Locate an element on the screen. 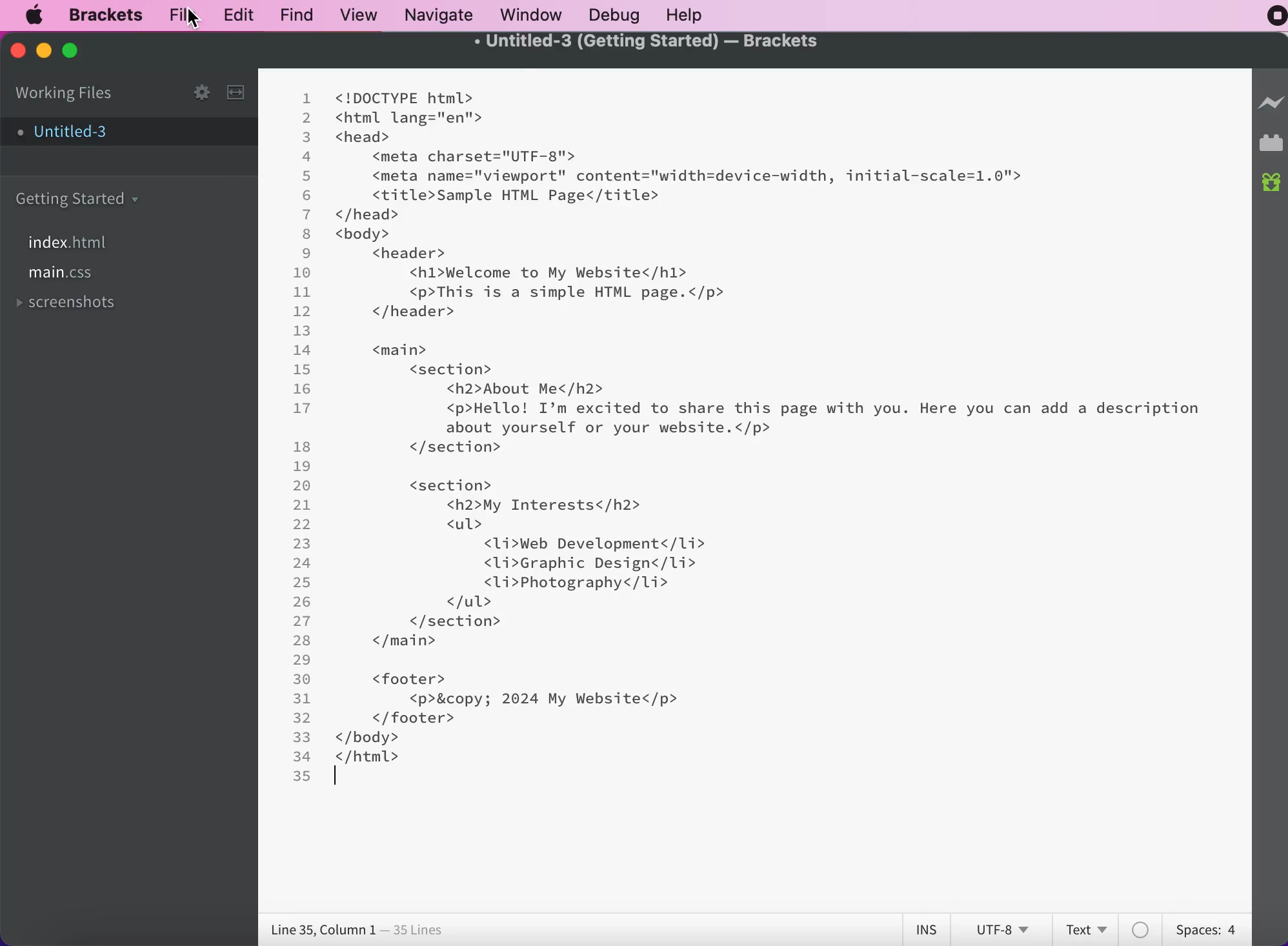 The image size is (1288, 946). ins is located at coordinates (930, 929).